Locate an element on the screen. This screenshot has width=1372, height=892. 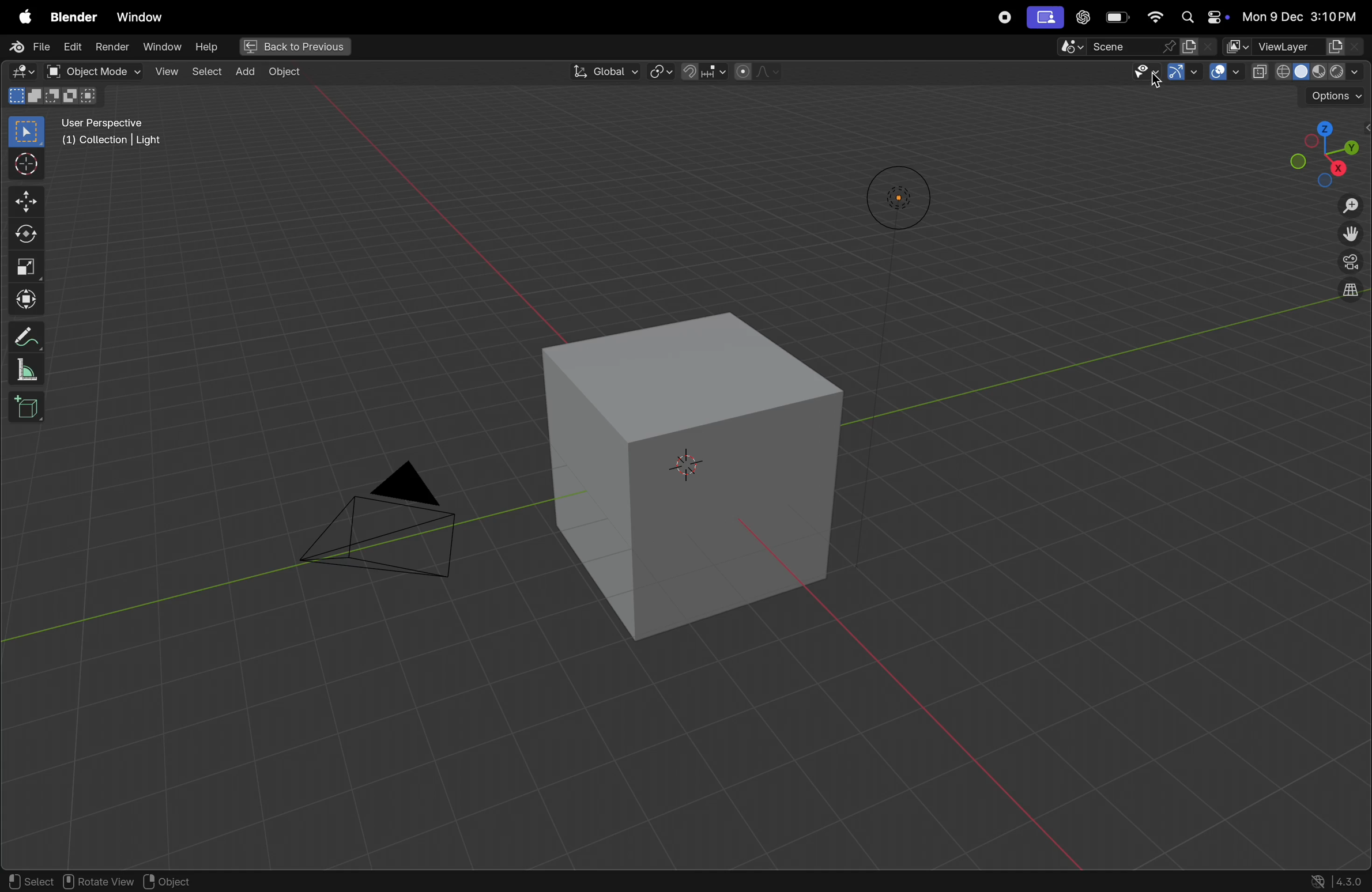
recorder is located at coordinates (1006, 19).